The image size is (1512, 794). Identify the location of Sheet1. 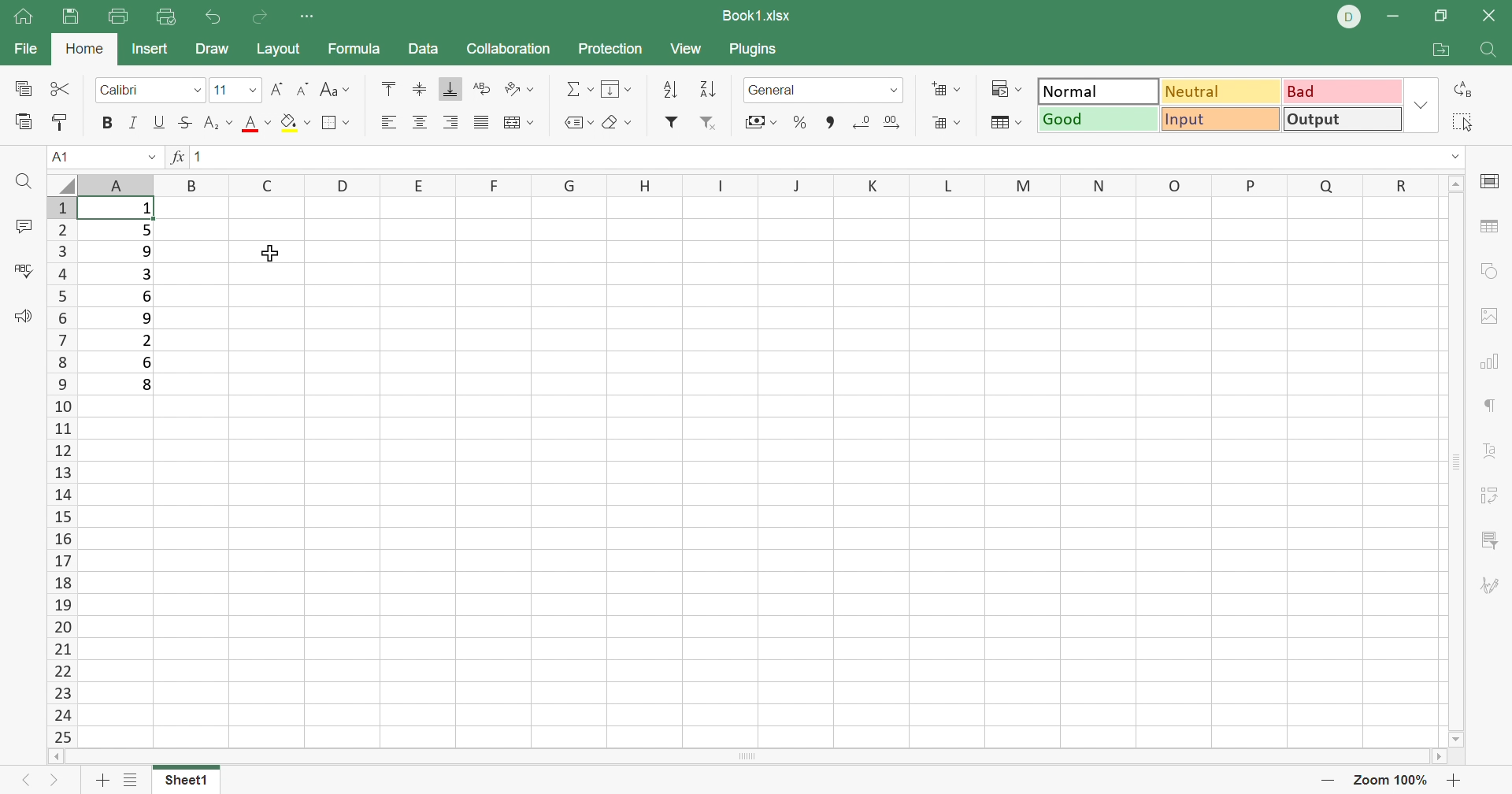
(187, 781).